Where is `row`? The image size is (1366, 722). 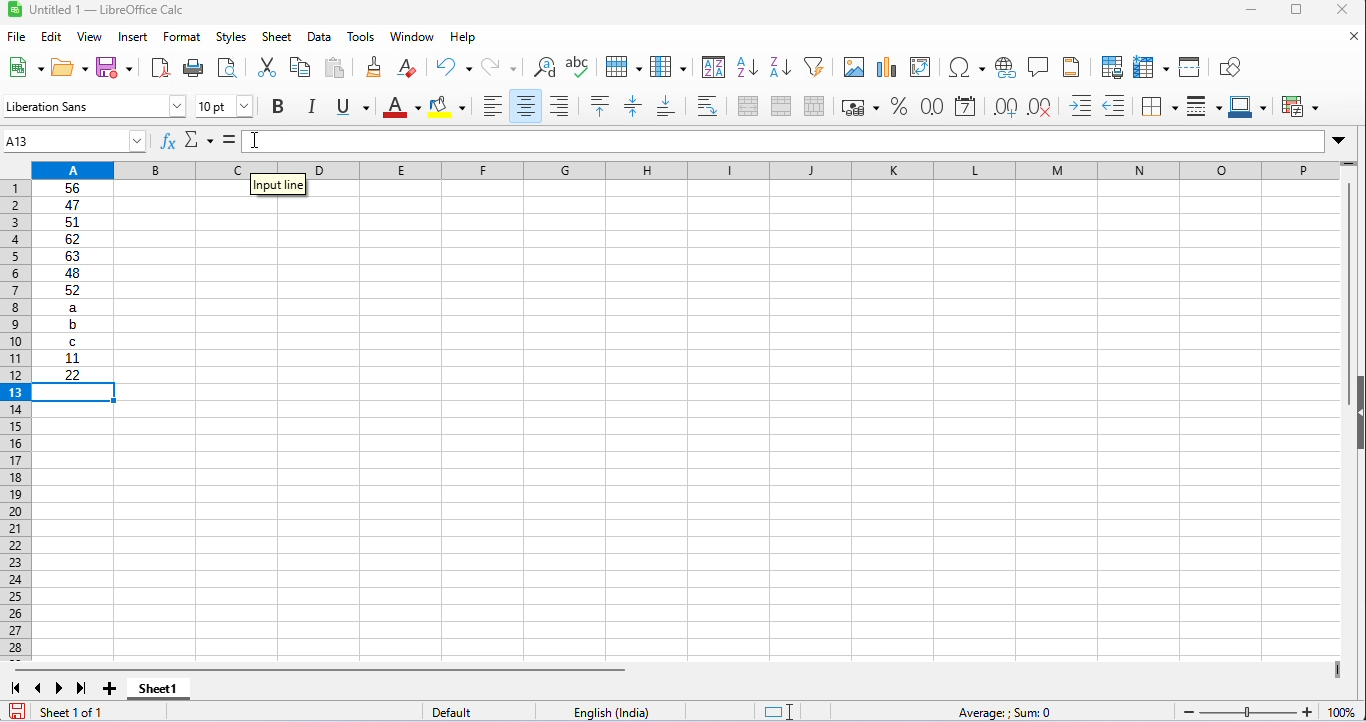
row is located at coordinates (622, 65).